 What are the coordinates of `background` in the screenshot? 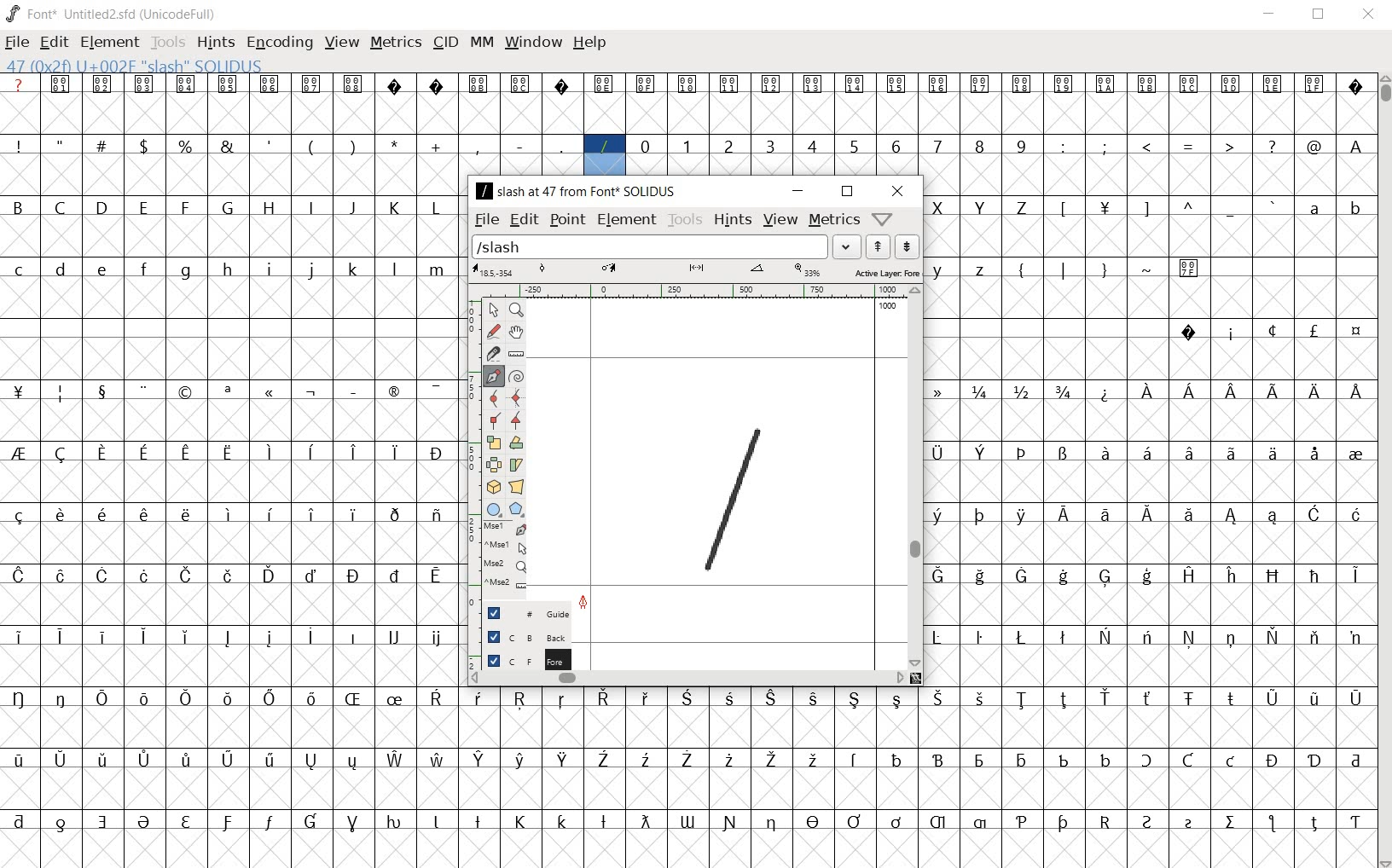 It's located at (520, 635).